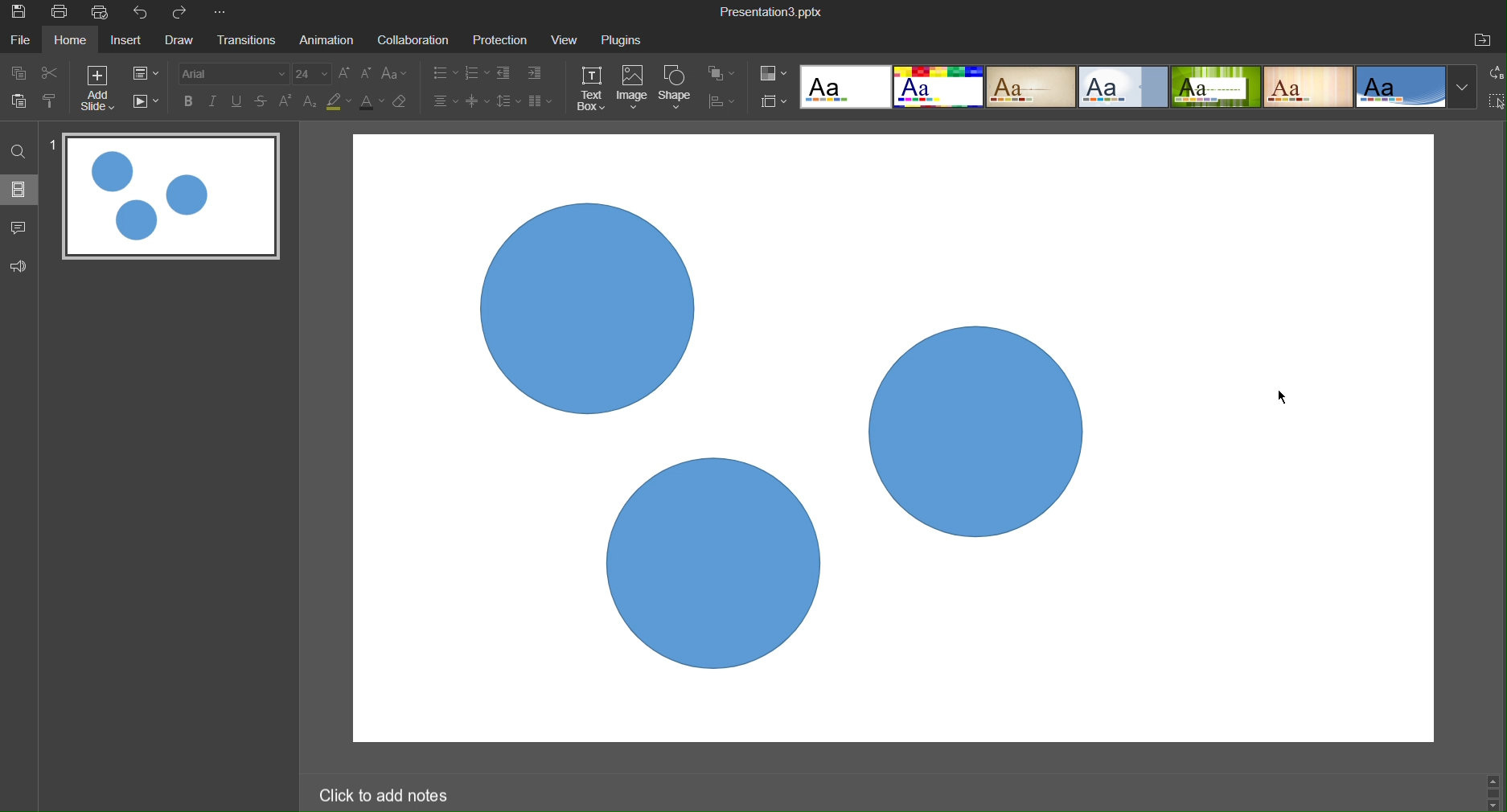  Describe the element at coordinates (456, 74) in the screenshot. I see `Lists` at that location.